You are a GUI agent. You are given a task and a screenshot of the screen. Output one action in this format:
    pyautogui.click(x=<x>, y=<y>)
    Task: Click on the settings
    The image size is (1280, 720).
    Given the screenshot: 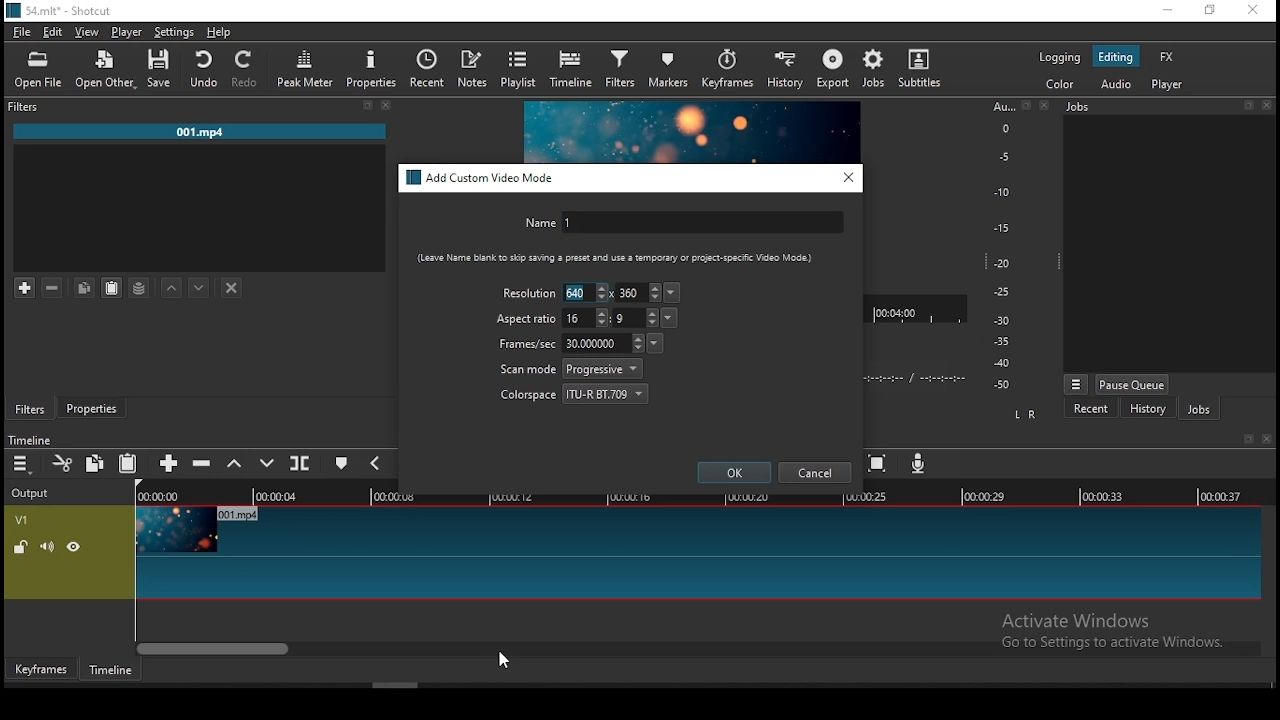 What is the action you would take?
    pyautogui.click(x=171, y=32)
    